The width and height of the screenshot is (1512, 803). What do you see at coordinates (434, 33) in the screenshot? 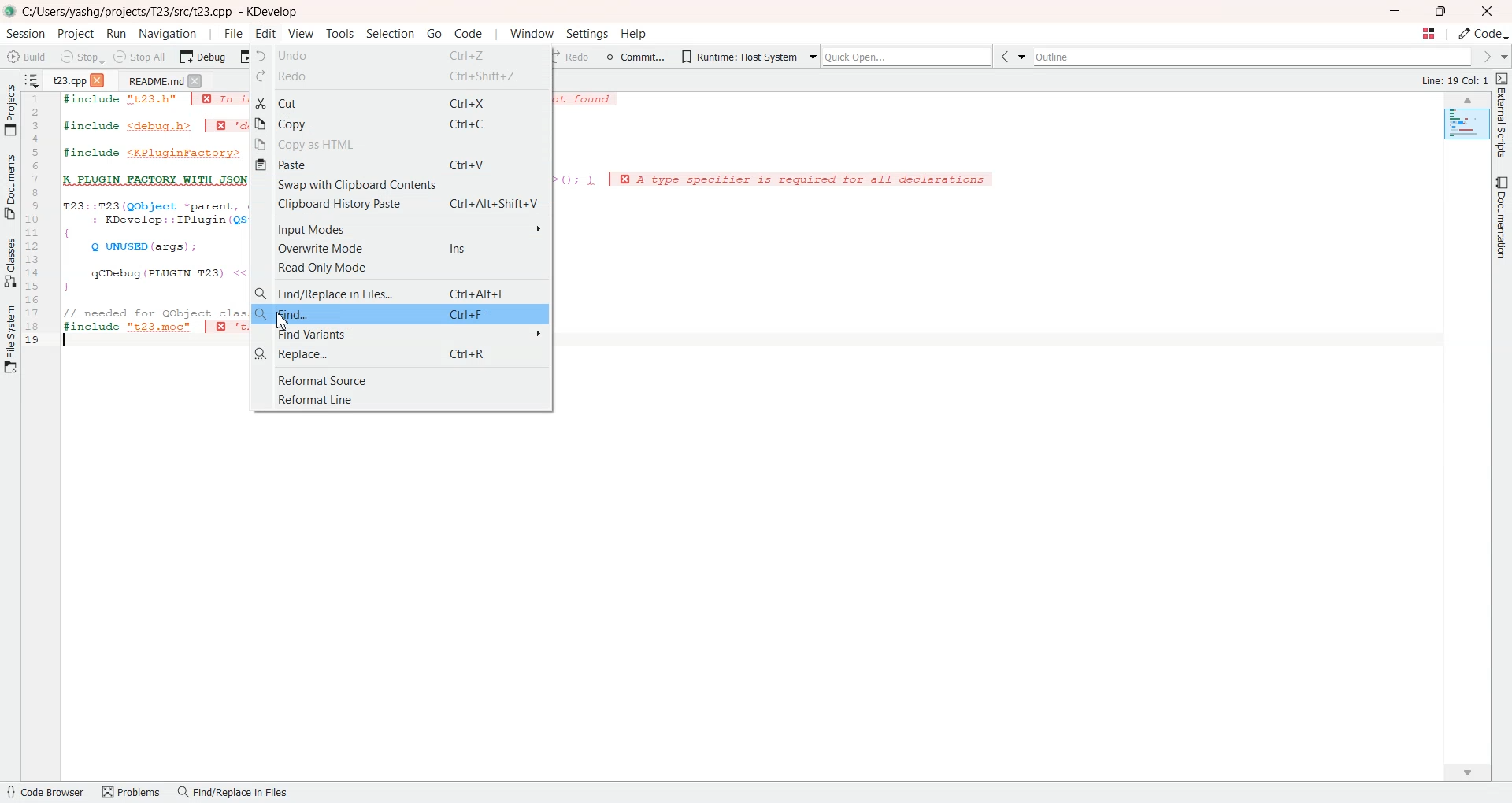
I see `go` at bounding box center [434, 33].